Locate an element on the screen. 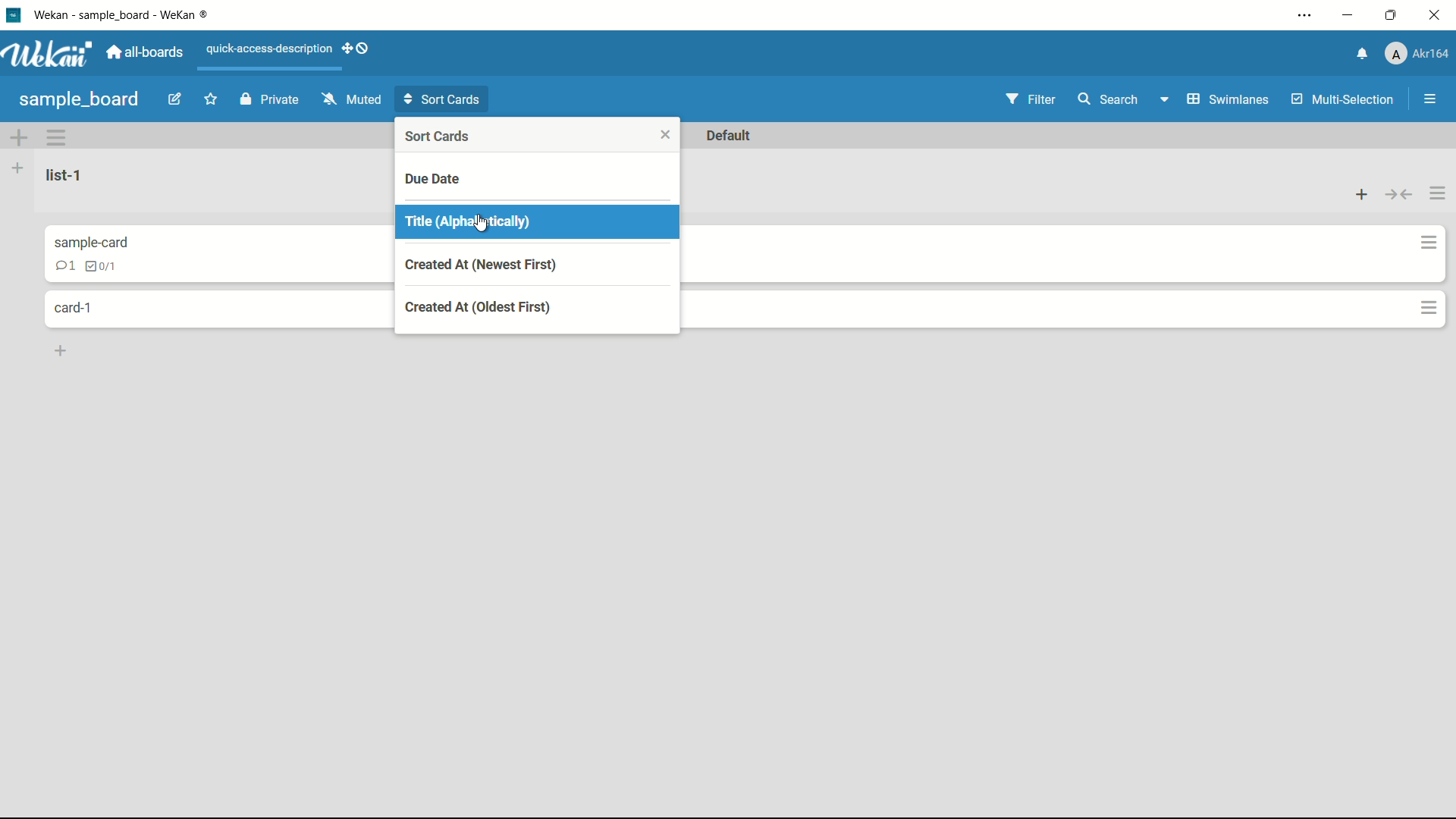 This screenshot has width=1456, height=819. maximize is located at coordinates (1393, 15).